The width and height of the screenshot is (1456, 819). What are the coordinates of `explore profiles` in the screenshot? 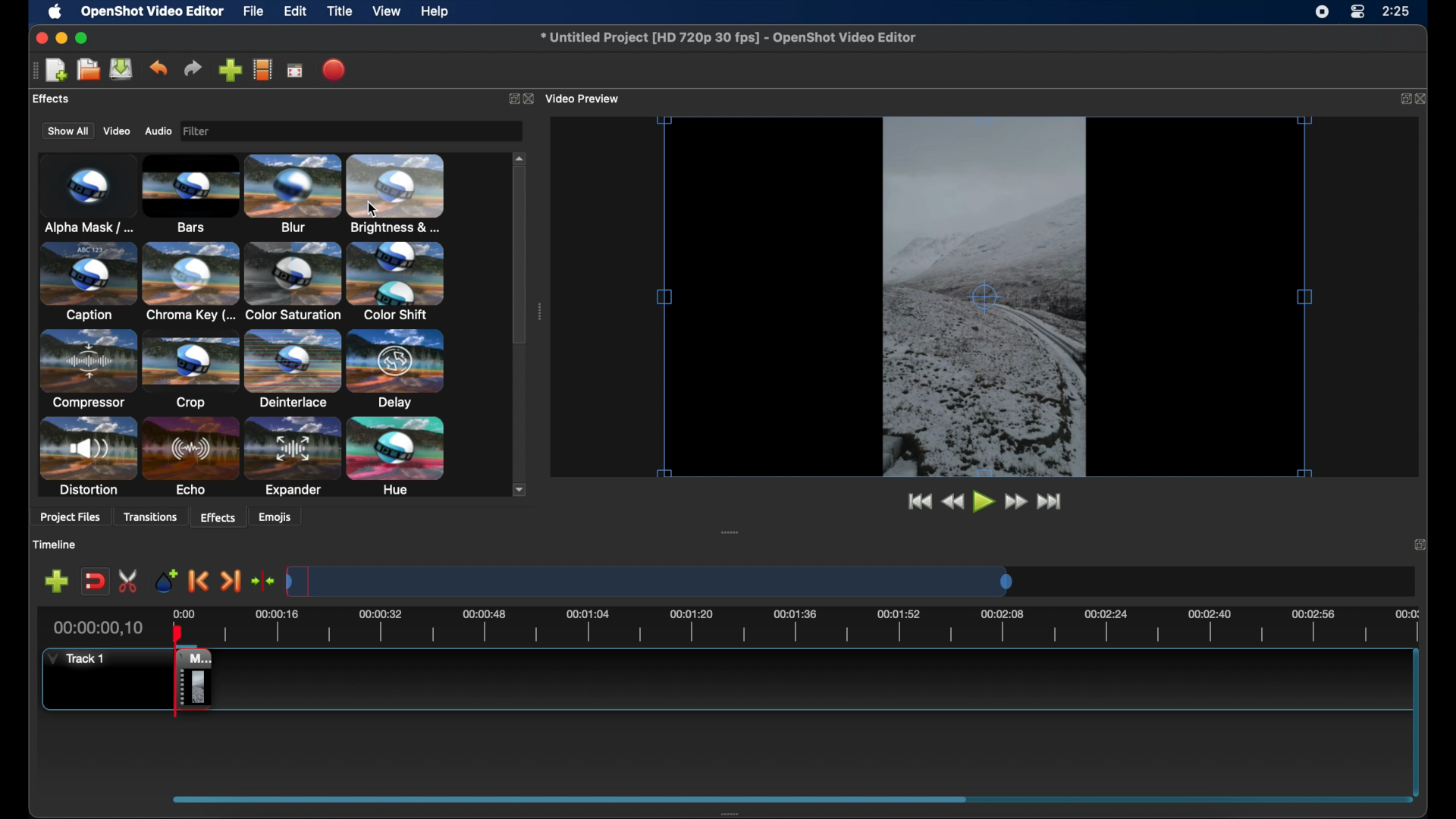 It's located at (264, 71).